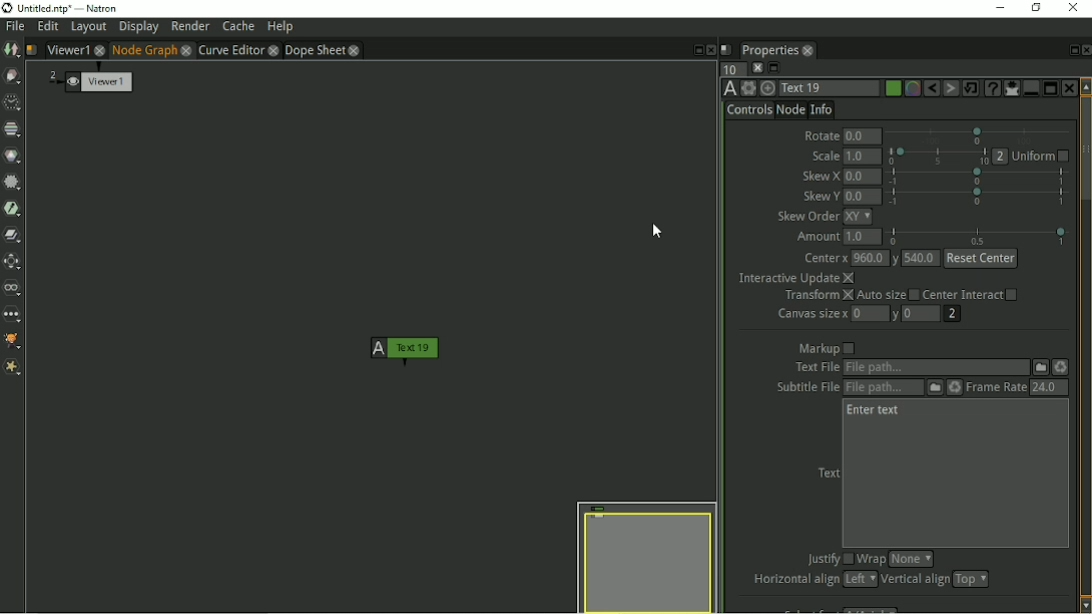  What do you see at coordinates (14, 288) in the screenshot?
I see `Views` at bounding box center [14, 288].